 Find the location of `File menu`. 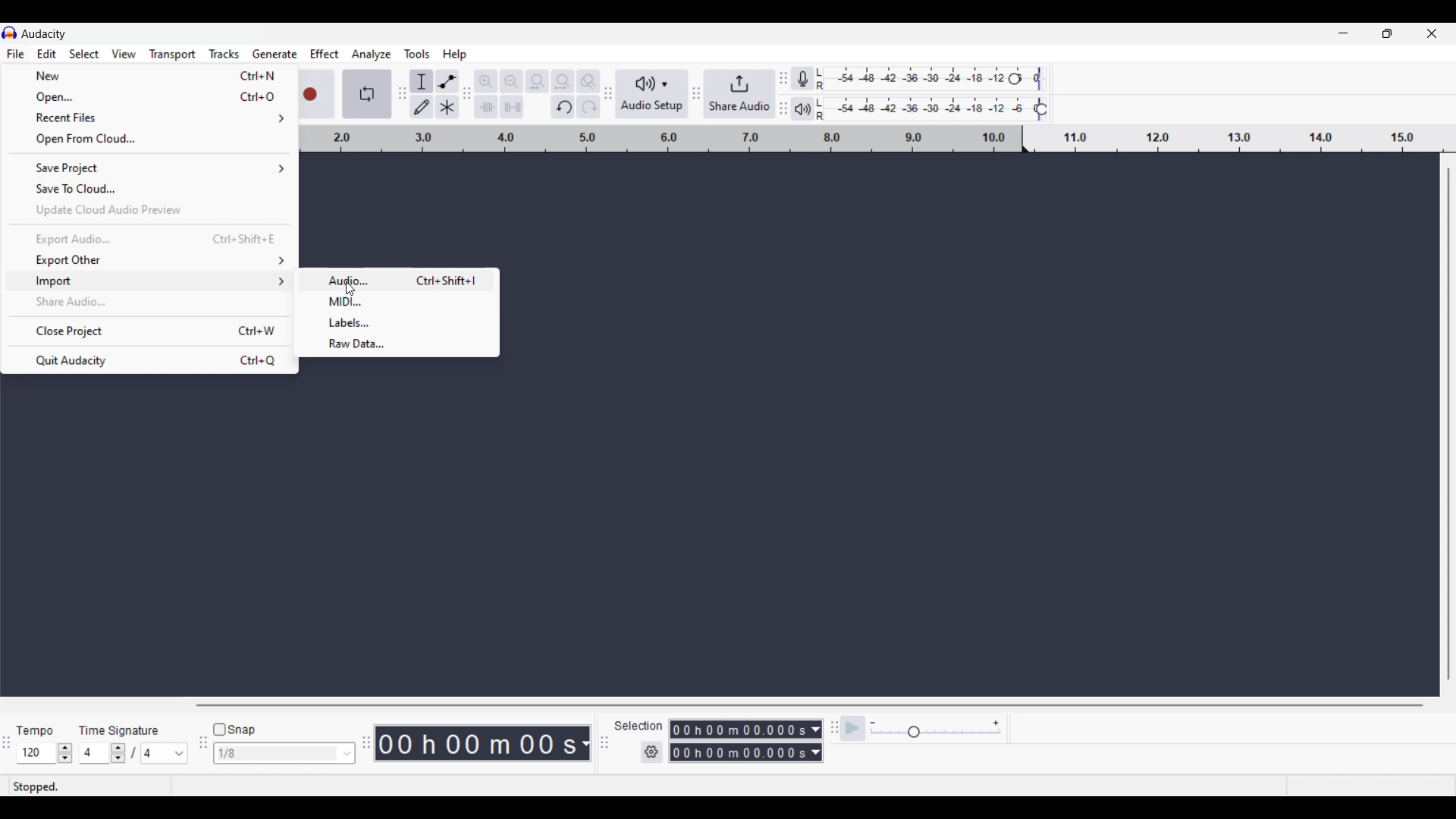

File menu is located at coordinates (16, 54).